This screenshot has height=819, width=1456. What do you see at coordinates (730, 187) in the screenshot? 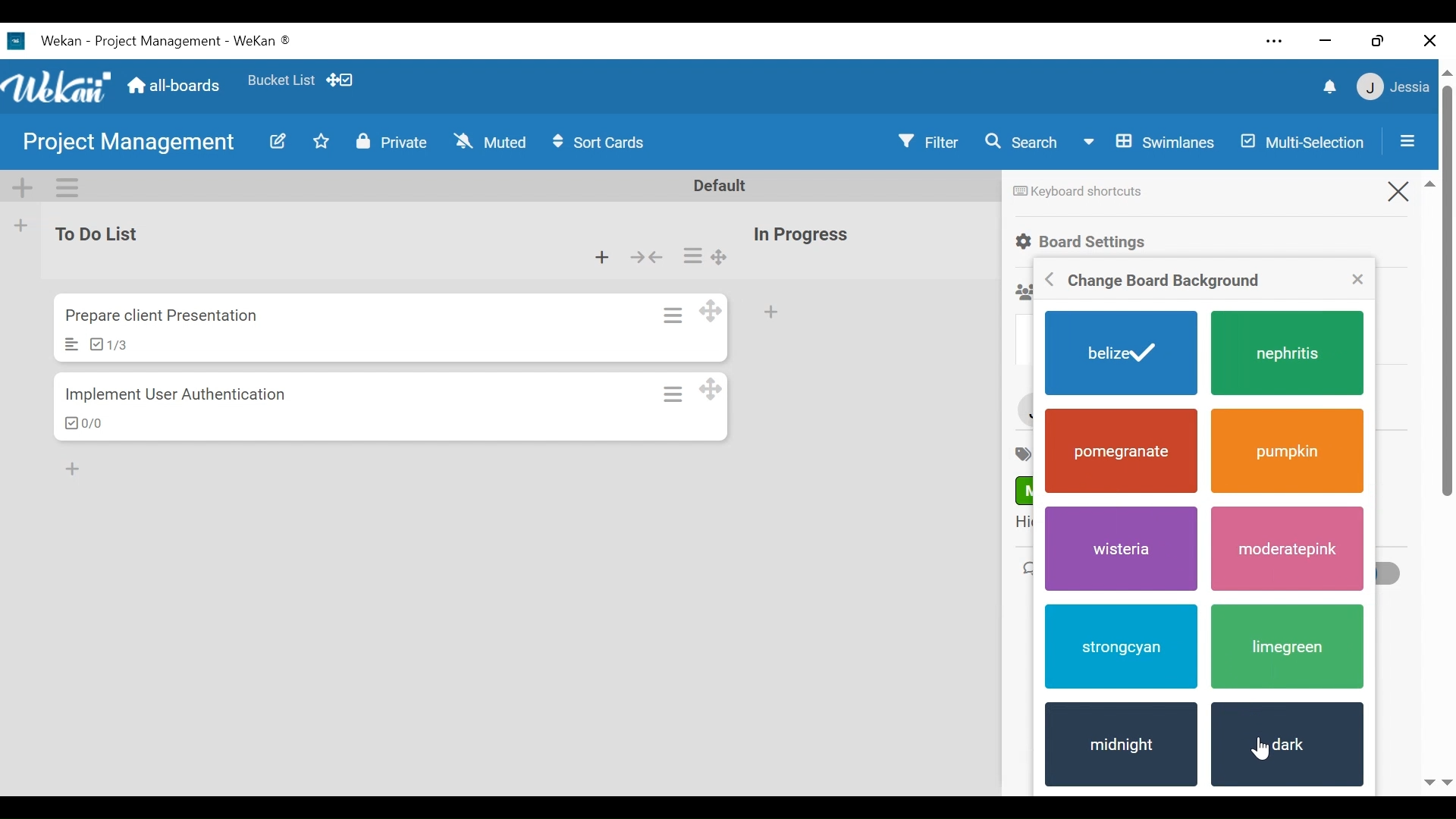
I see `Default` at bounding box center [730, 187].